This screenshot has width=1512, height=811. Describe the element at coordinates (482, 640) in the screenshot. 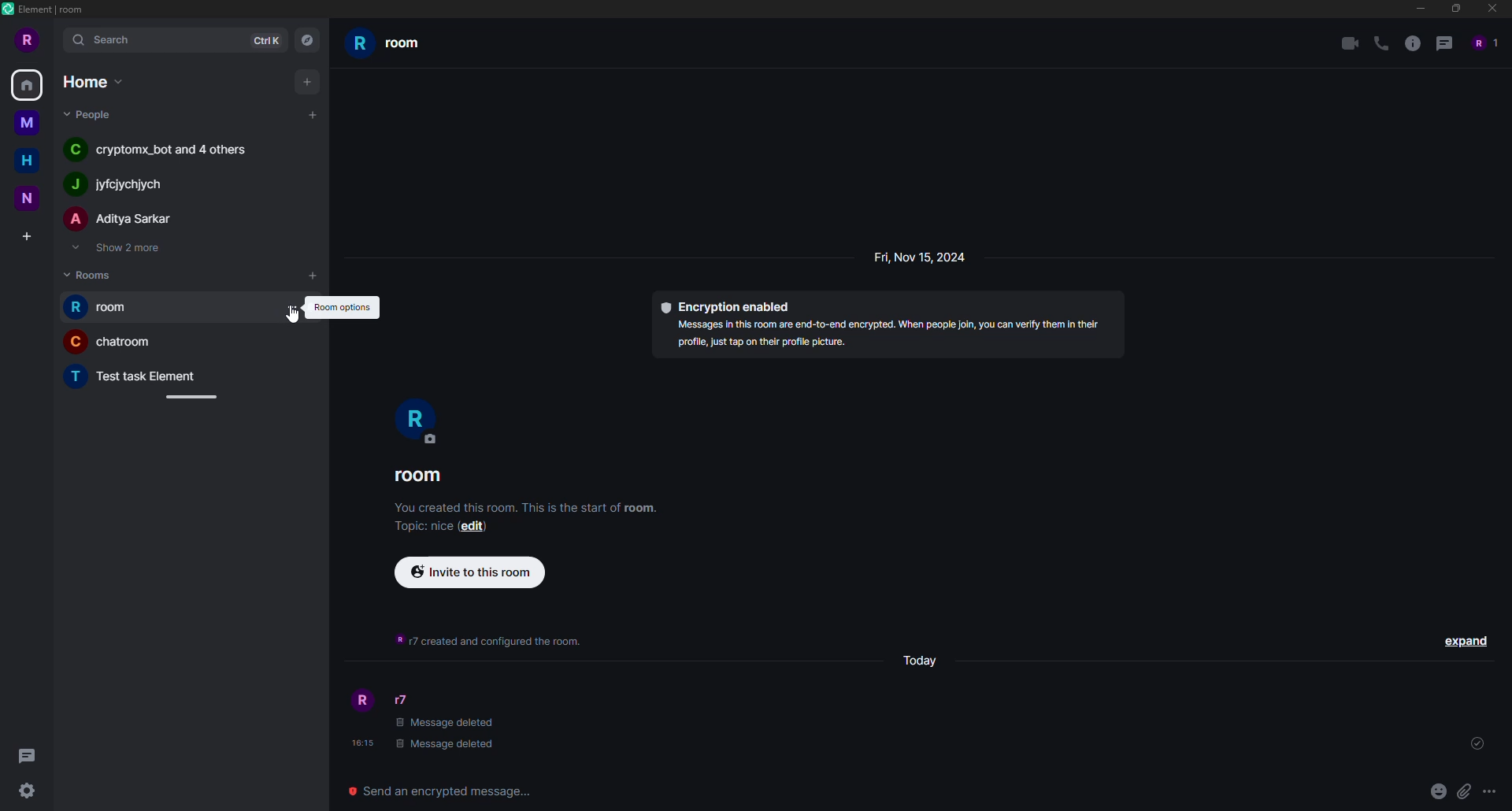

I see `info` at that location.